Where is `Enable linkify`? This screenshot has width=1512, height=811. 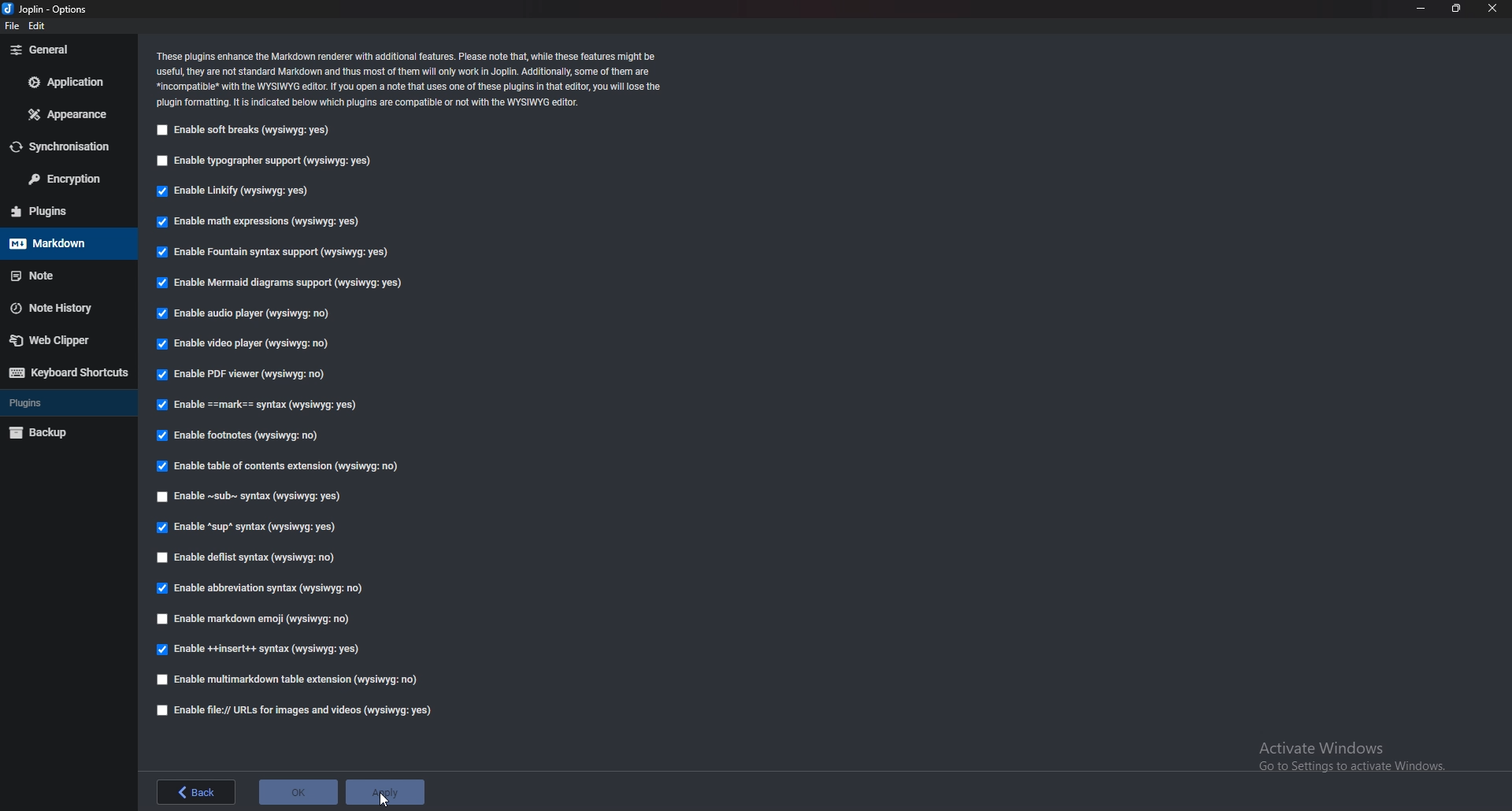
Enable linkify is located at coordinates (236, 191).